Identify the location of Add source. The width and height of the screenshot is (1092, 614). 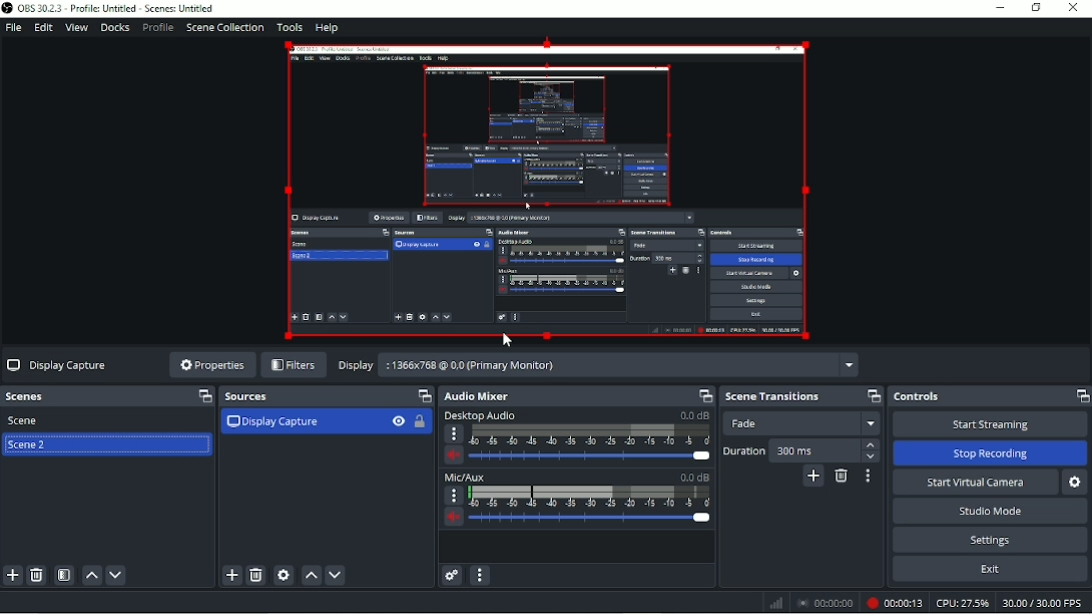
(232, 576).